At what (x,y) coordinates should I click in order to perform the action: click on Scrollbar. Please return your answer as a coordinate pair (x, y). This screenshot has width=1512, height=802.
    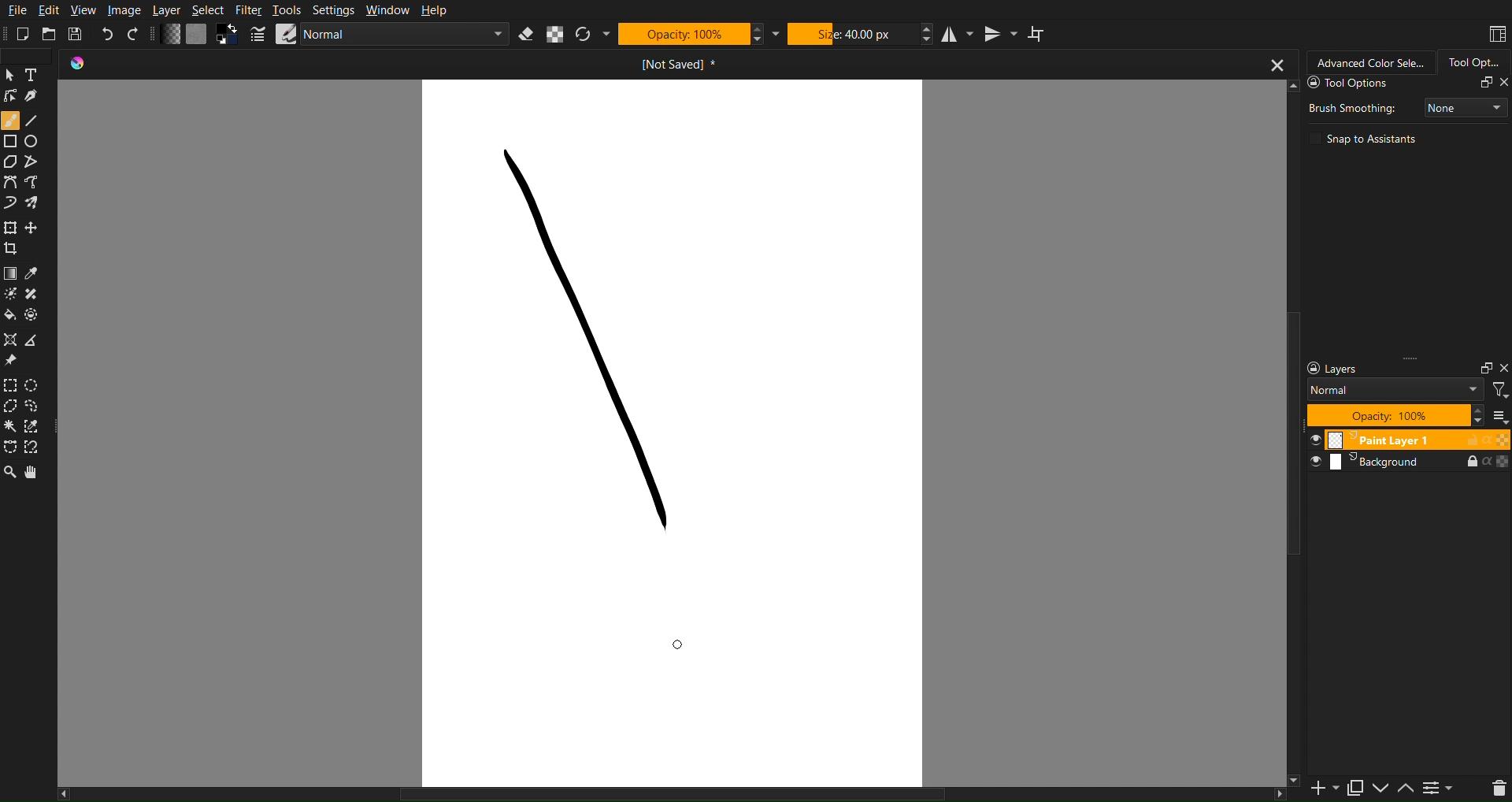
    Looking at the image, I should click on (681, 794).